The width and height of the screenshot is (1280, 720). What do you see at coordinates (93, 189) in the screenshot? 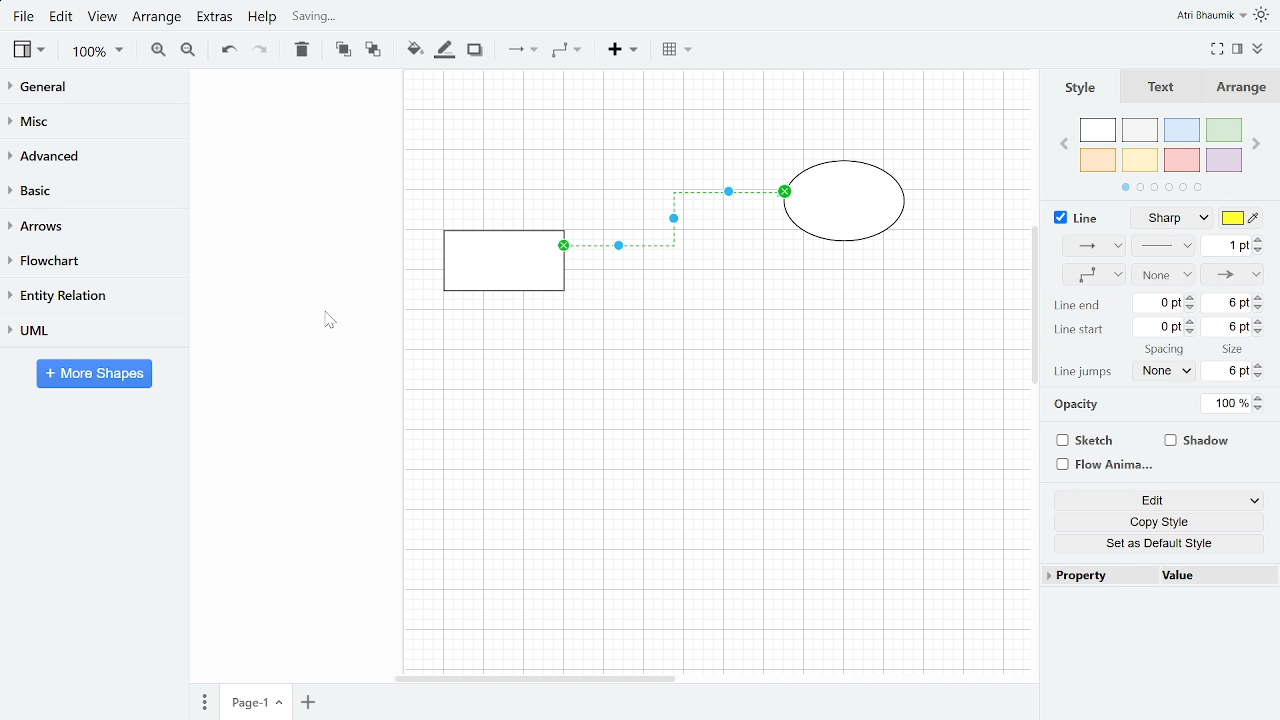
I see `Basic` at bounding box center [93, 189].